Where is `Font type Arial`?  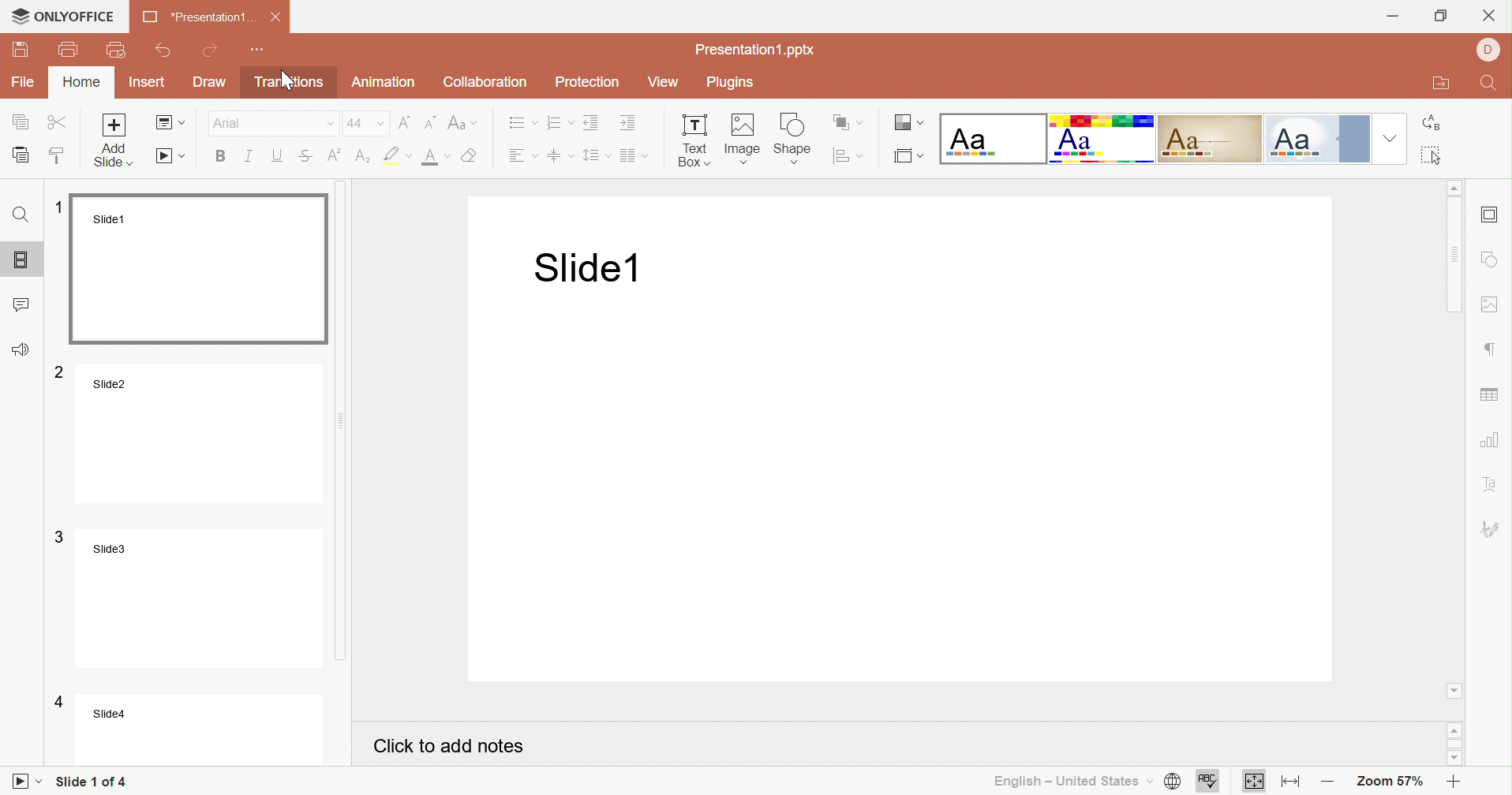 Font type Arial is located at coordinates (272, 123).